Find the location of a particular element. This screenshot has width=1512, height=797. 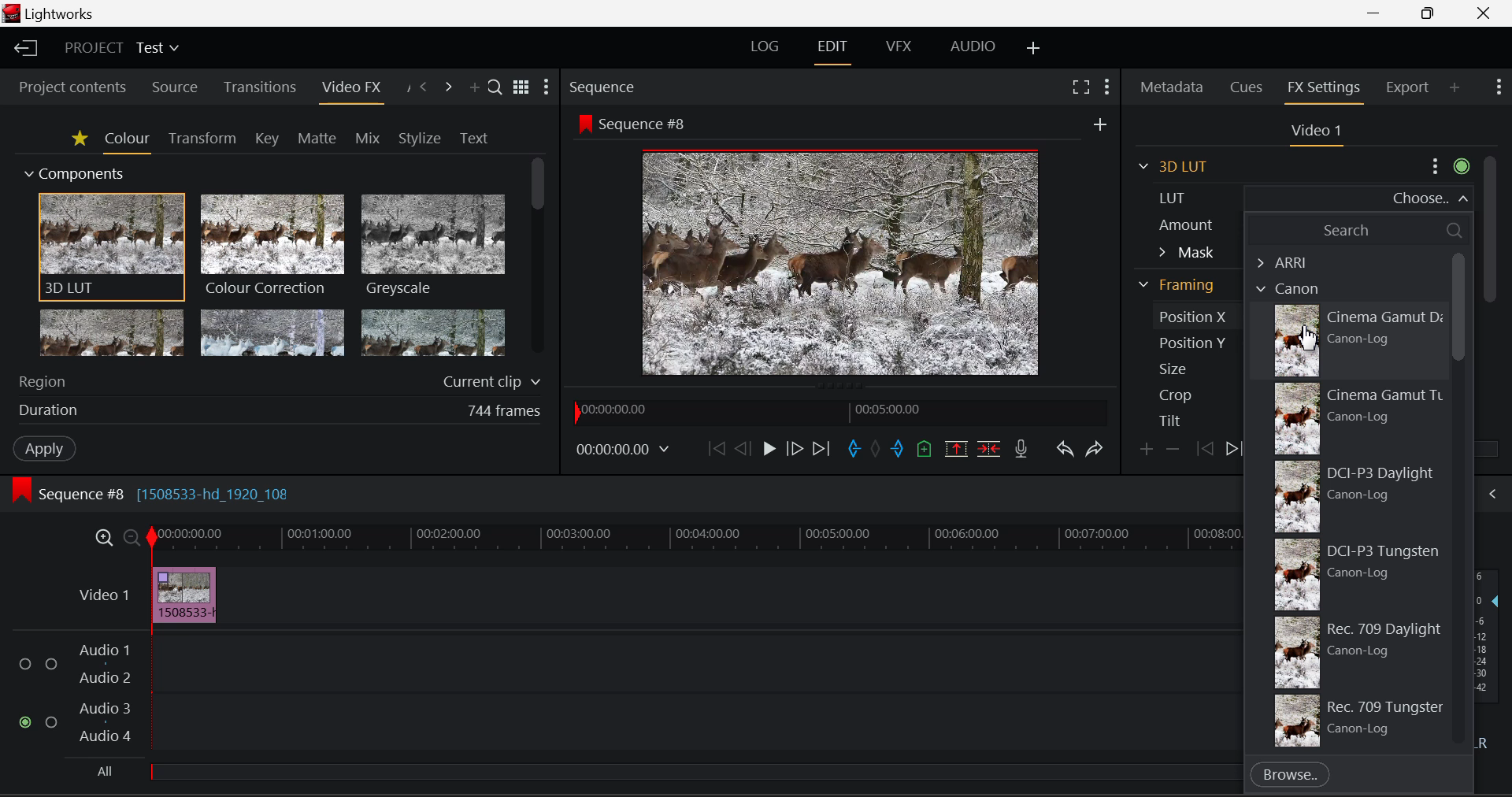

709 Daylight is located at coordinates (1345, 654).